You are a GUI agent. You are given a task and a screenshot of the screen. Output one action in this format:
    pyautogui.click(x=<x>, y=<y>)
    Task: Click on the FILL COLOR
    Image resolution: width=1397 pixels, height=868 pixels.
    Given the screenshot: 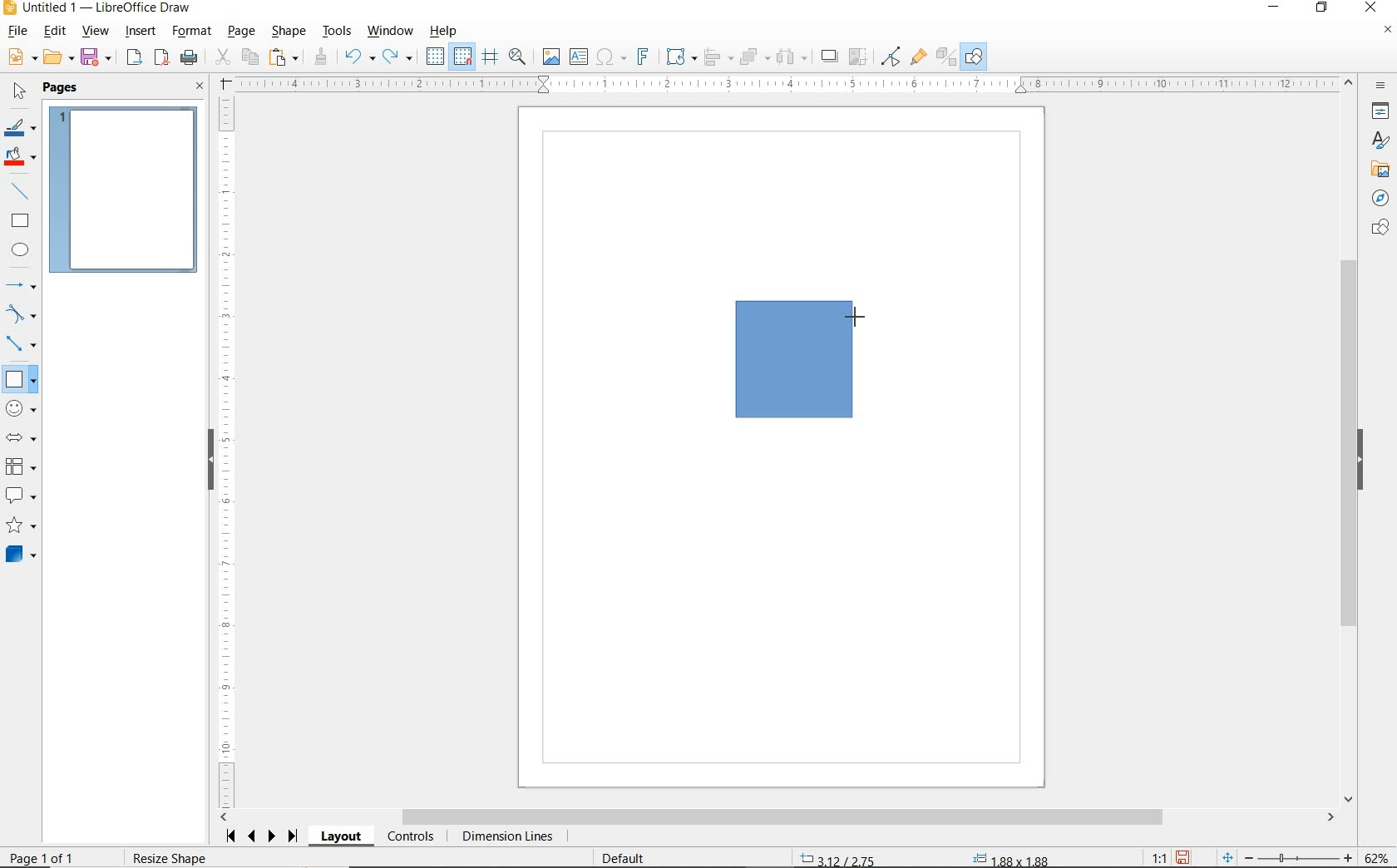 What is the action you would take?
    pyautogui.click(x=22, y=159)
    